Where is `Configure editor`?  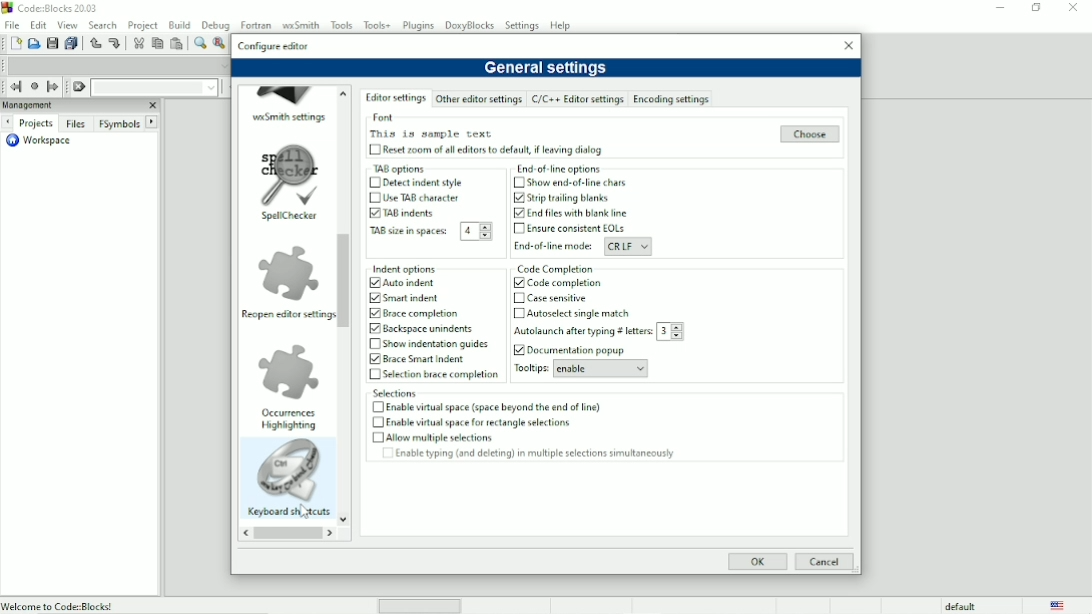 Configure editor is located at coordinates (274, 44).